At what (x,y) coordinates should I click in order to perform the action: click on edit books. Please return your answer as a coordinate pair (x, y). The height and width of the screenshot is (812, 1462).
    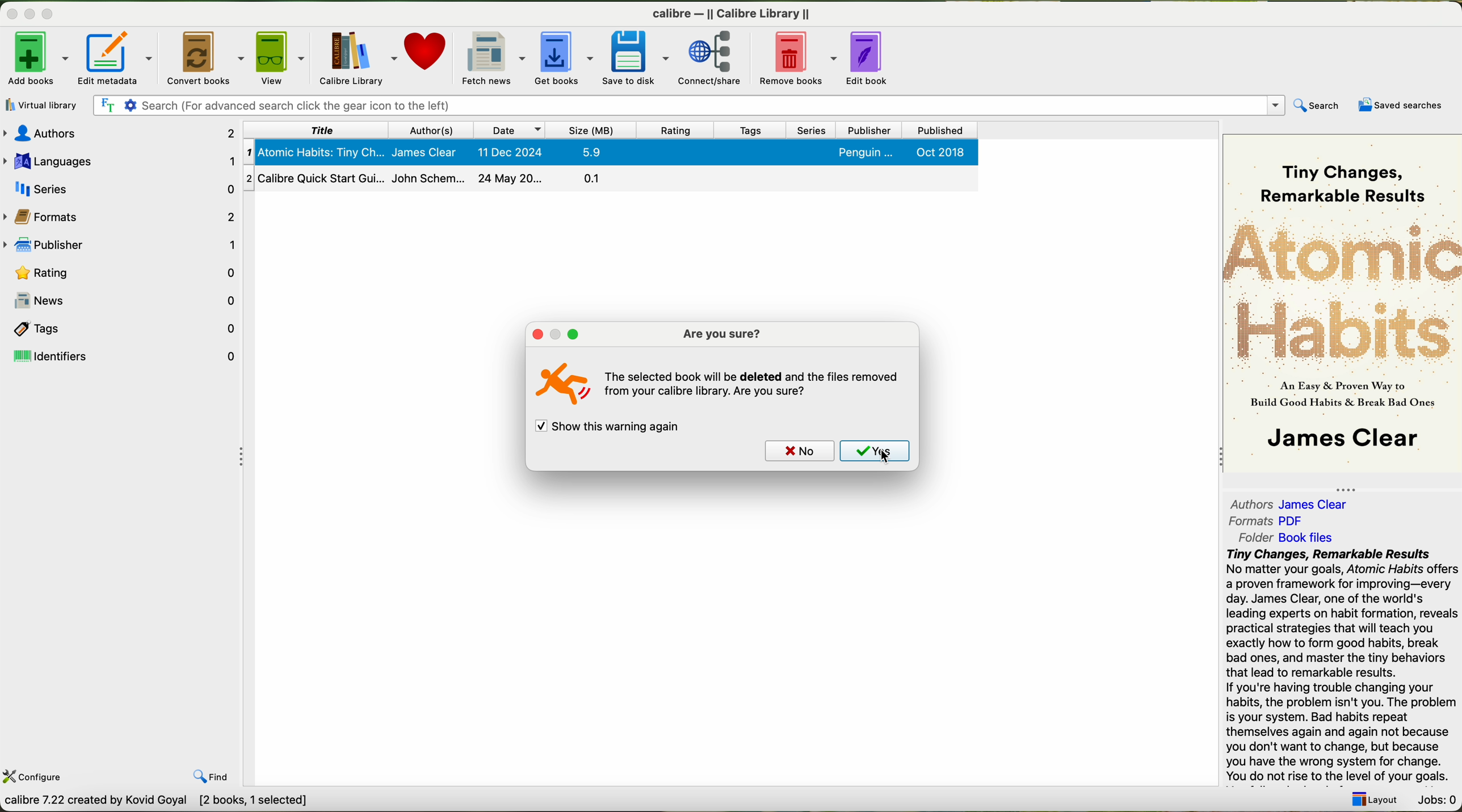
    Looking at the image, I should click on (870, 59).